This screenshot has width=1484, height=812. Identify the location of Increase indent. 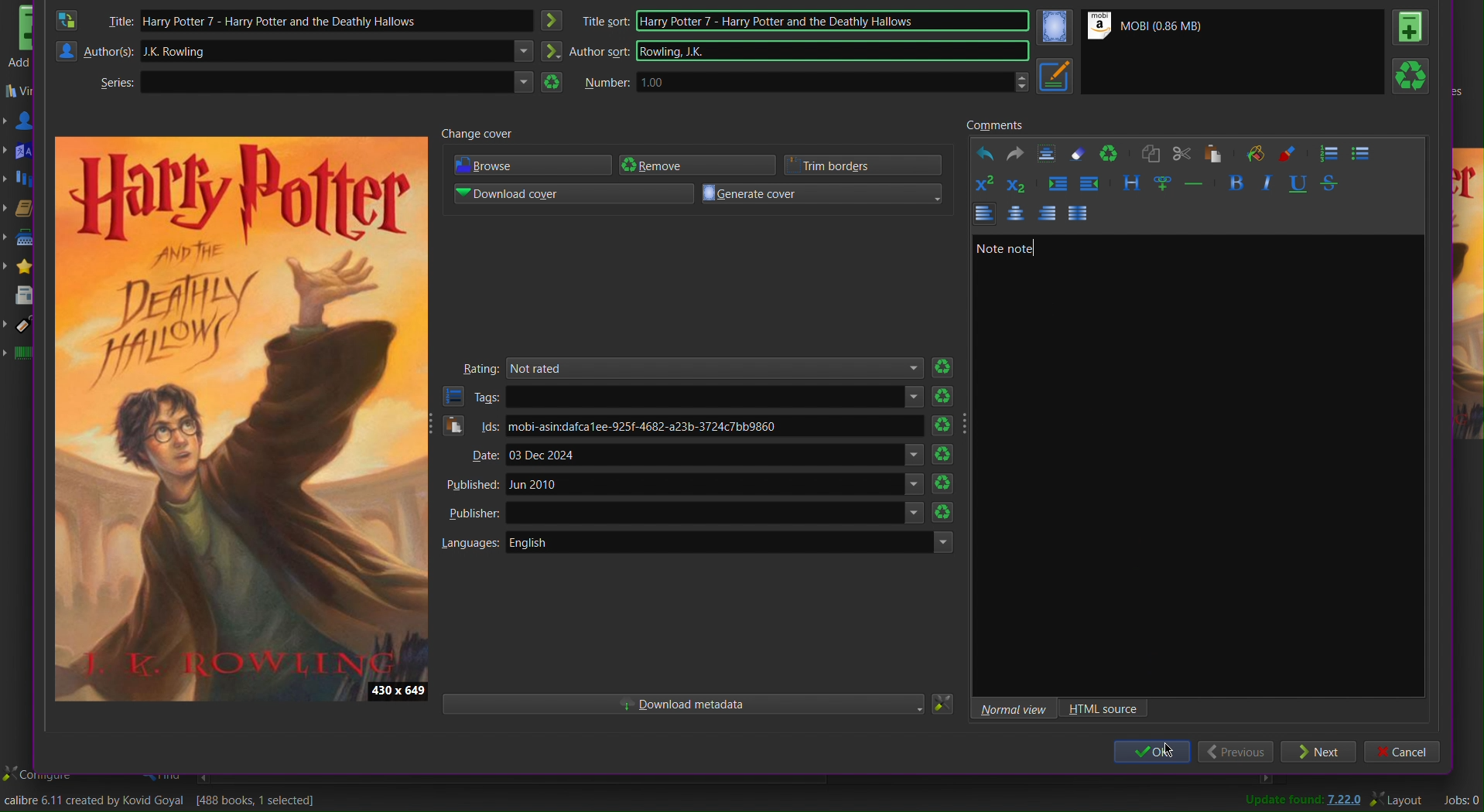
(1057, 184).